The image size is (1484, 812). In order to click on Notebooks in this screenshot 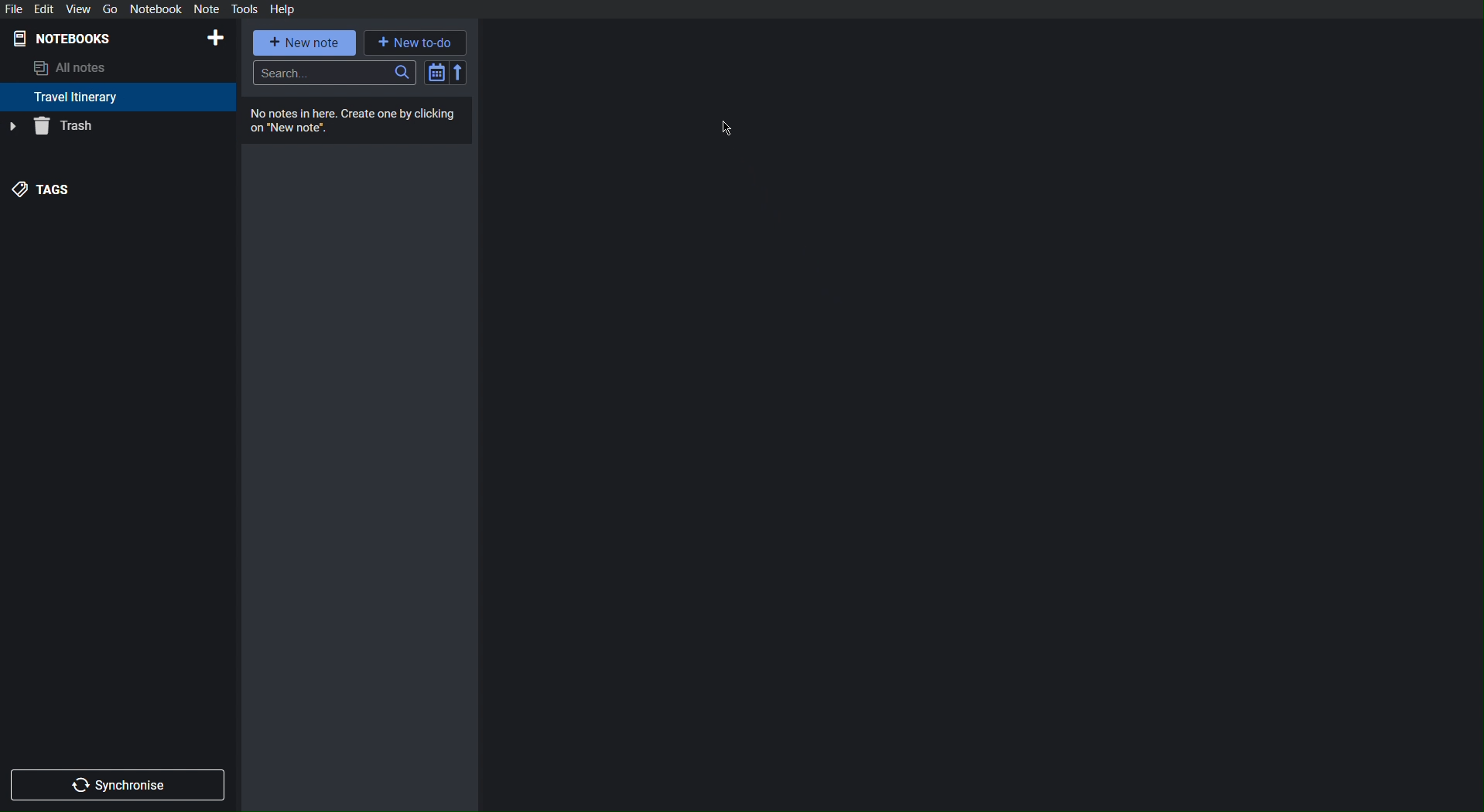, I will do `click(63, 39)`.